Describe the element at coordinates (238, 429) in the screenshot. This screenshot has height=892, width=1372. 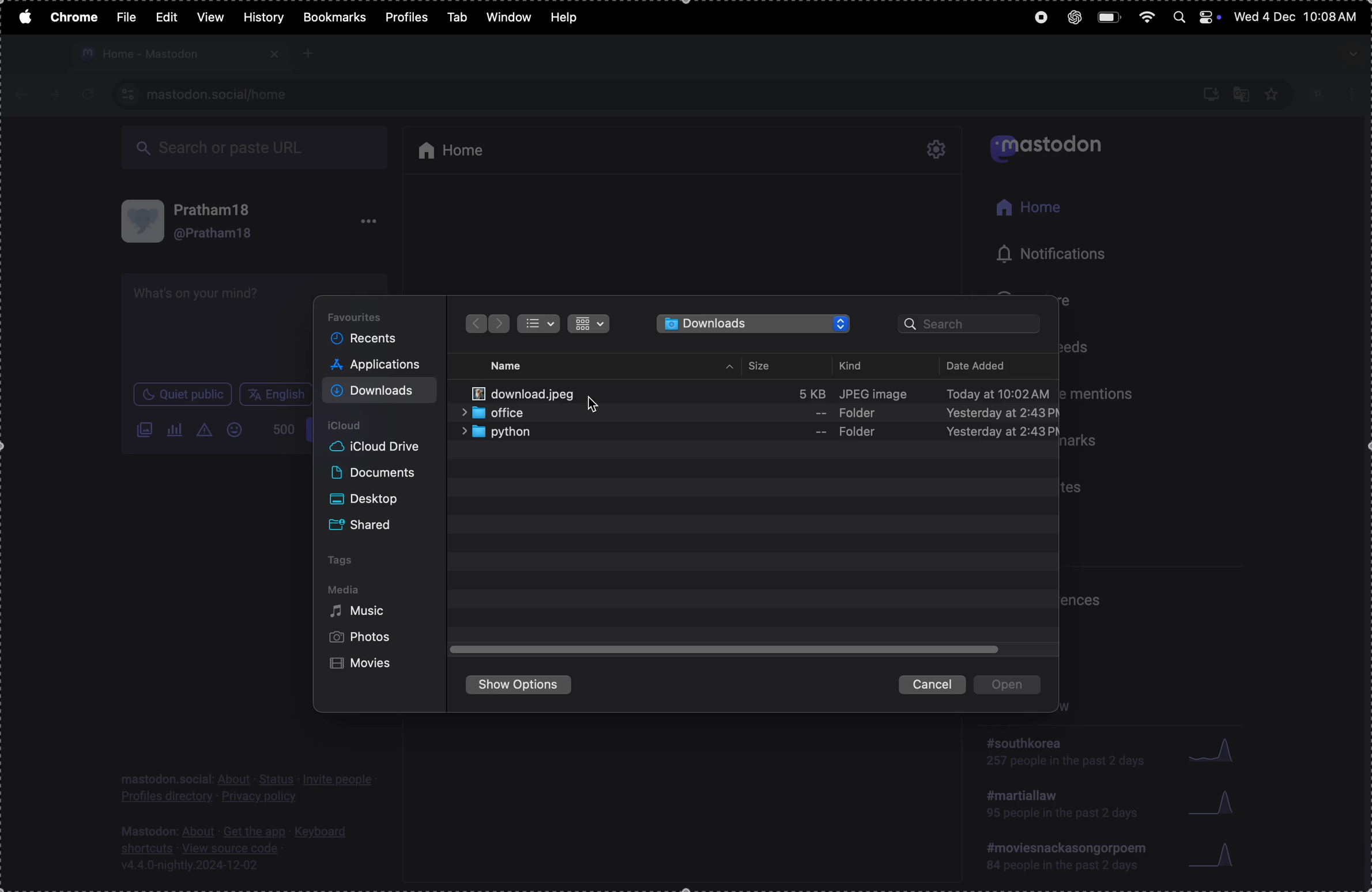
I see `Emoji` at that location.